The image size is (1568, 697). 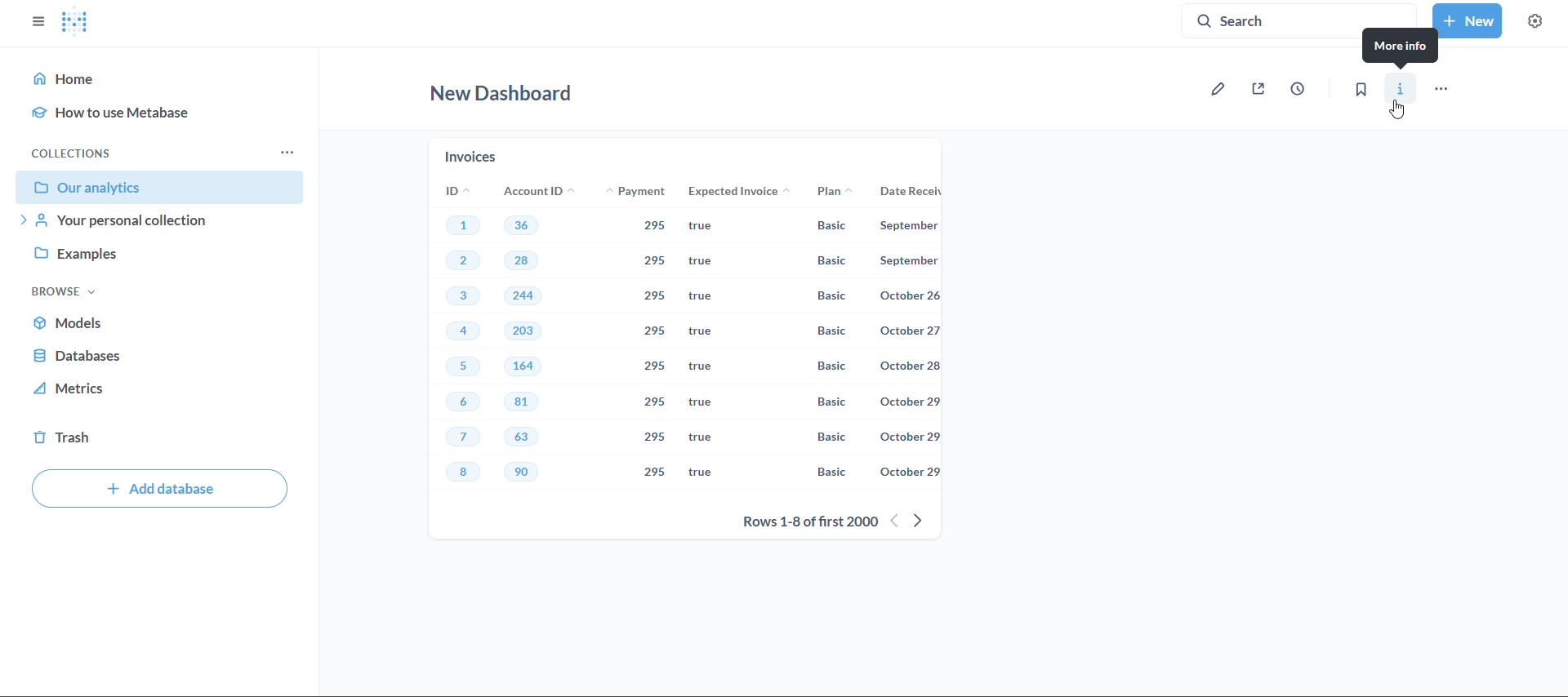 I want to click on 244, so click(x=523, y=296).